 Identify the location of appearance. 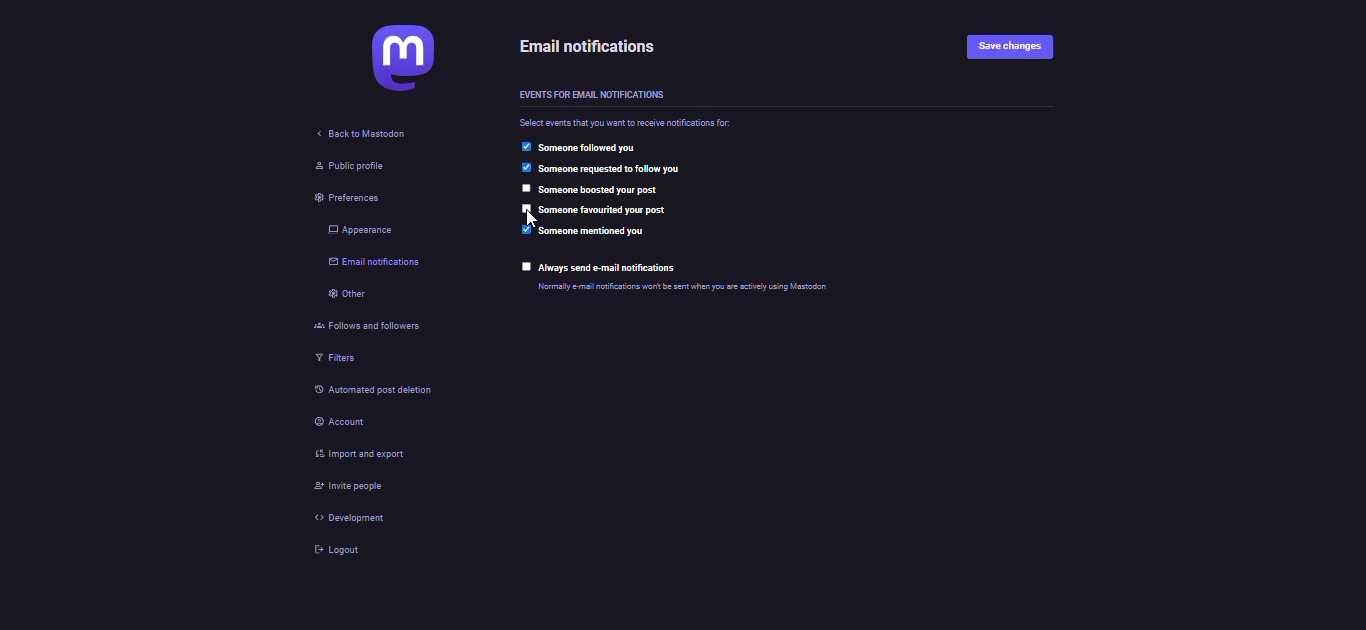
(352, 230).